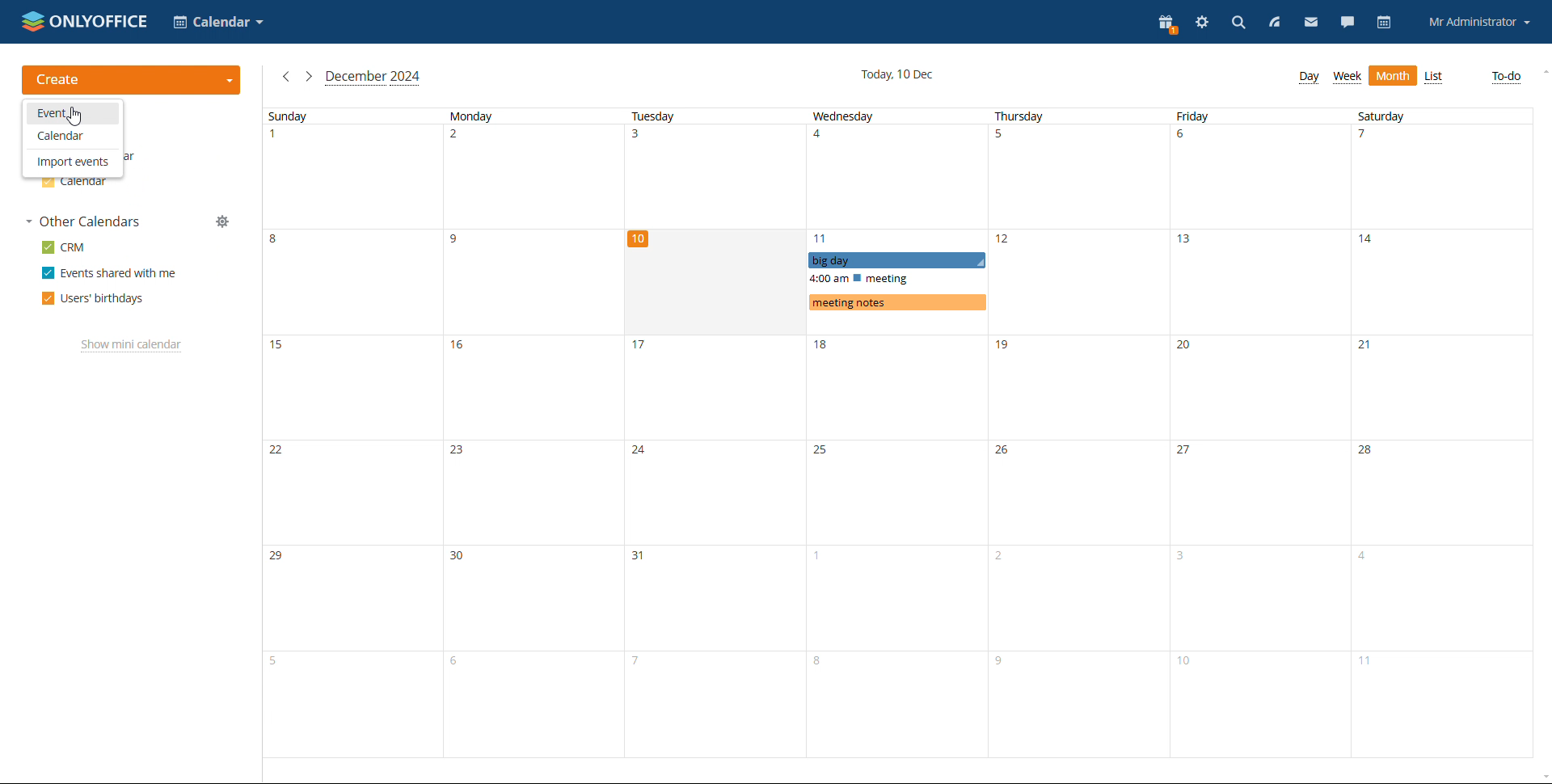 The image size is (1552, 784). What do you see at coordinates (73, 137) in the screenshot?
I see `calendar` at bounding box center [73, 137].